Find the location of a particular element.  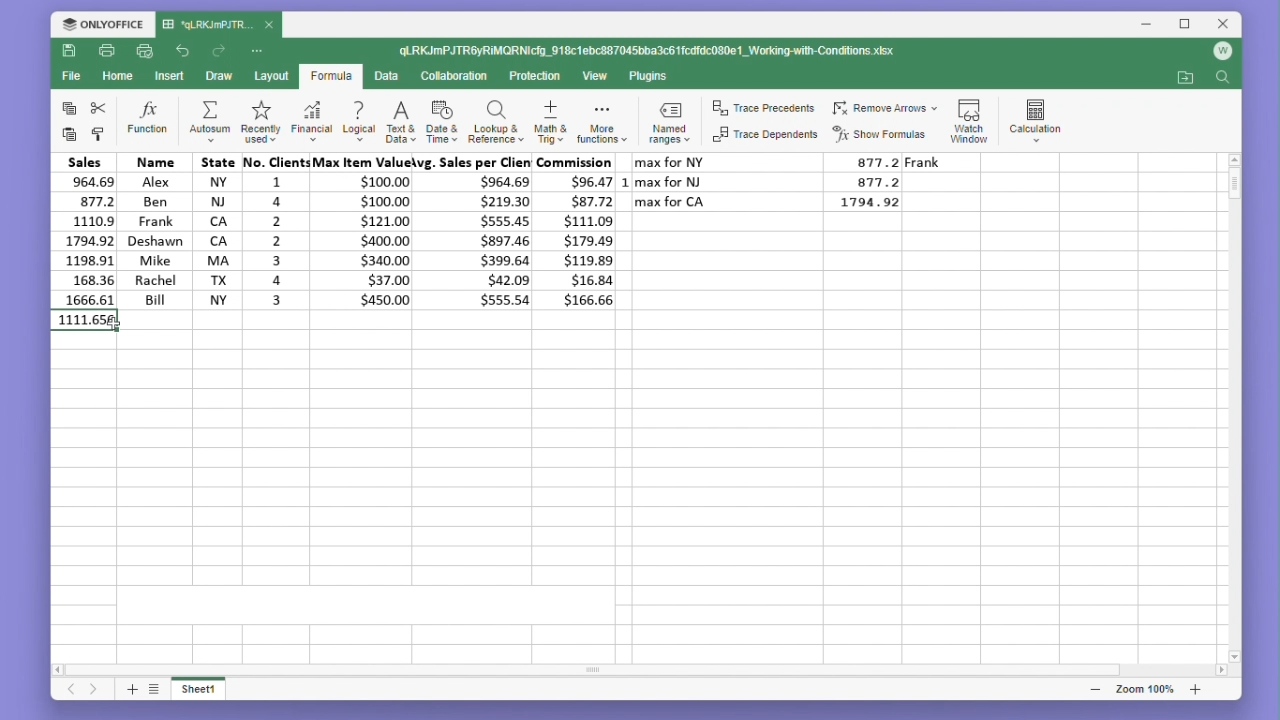

Trace dependents is located at coordinates (766, 135).